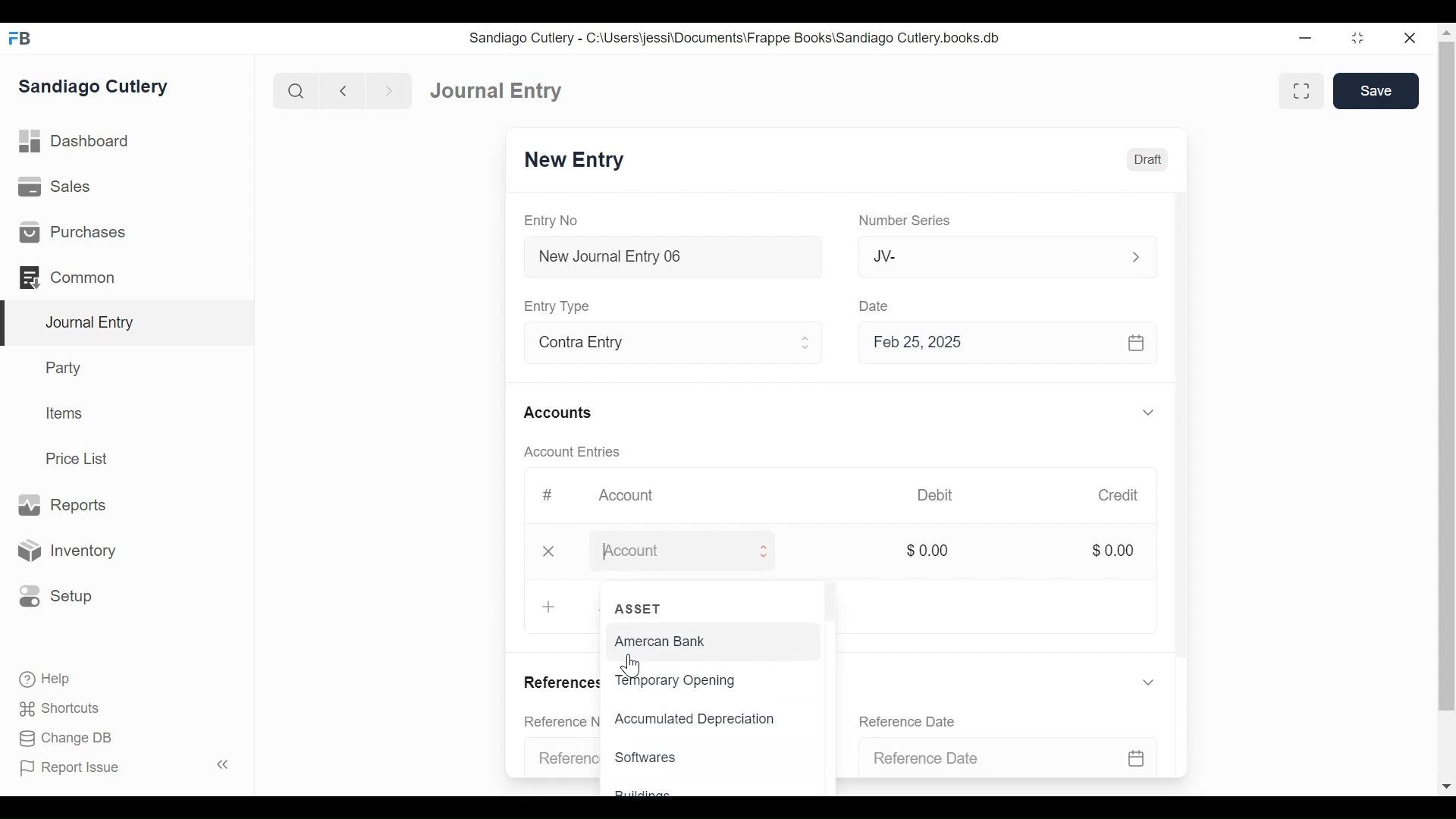 This screenshot has width=1456, height=819. Describe the element at coordinates (96, 87) in the screenshot. I see `Sandiago Cutlery` at that location.